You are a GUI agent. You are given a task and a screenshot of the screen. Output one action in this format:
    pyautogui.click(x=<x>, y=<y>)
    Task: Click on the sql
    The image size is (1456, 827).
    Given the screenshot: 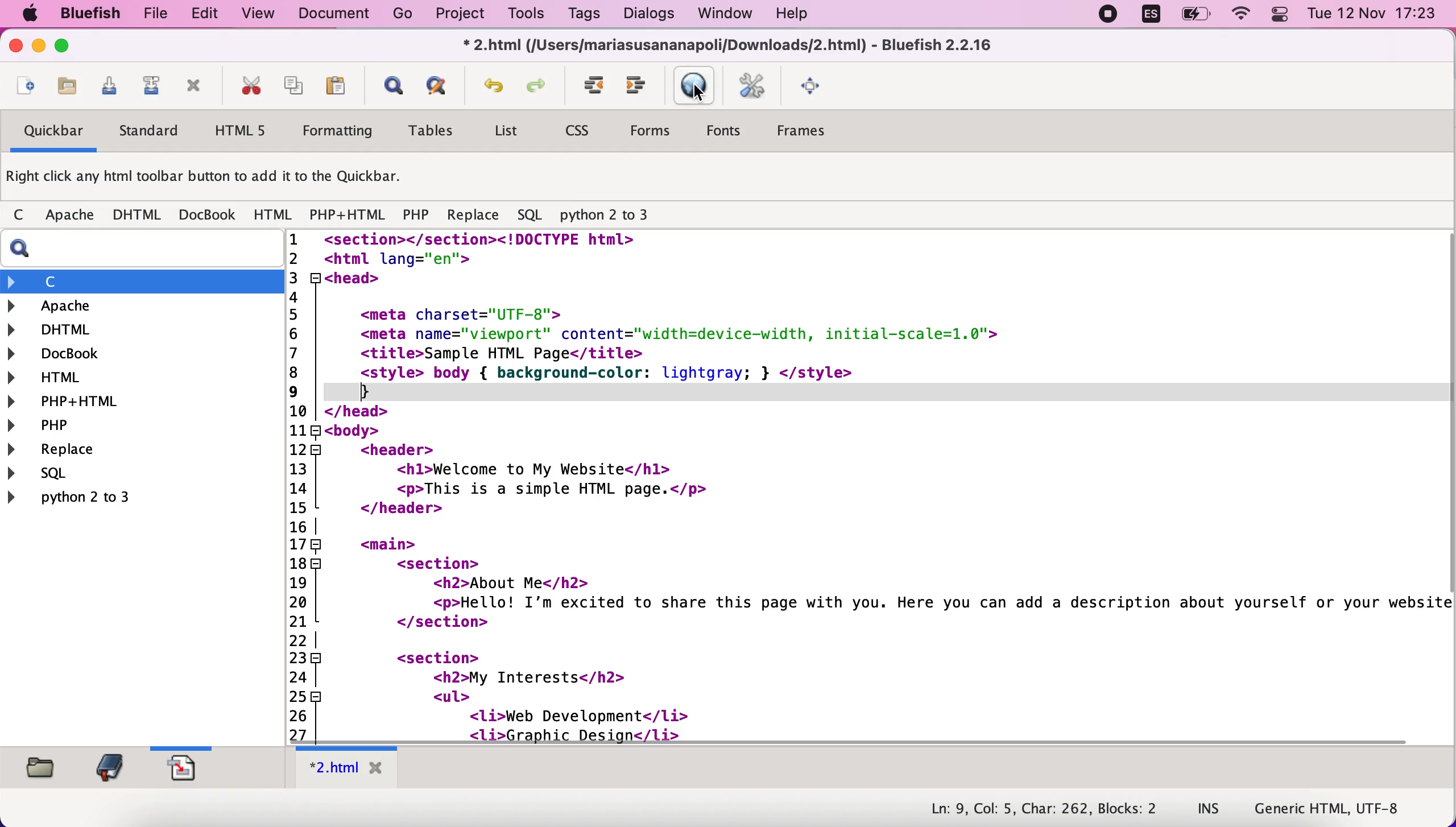 What is the action you would take?
    pyautogui.click(x=87, y=476)
    